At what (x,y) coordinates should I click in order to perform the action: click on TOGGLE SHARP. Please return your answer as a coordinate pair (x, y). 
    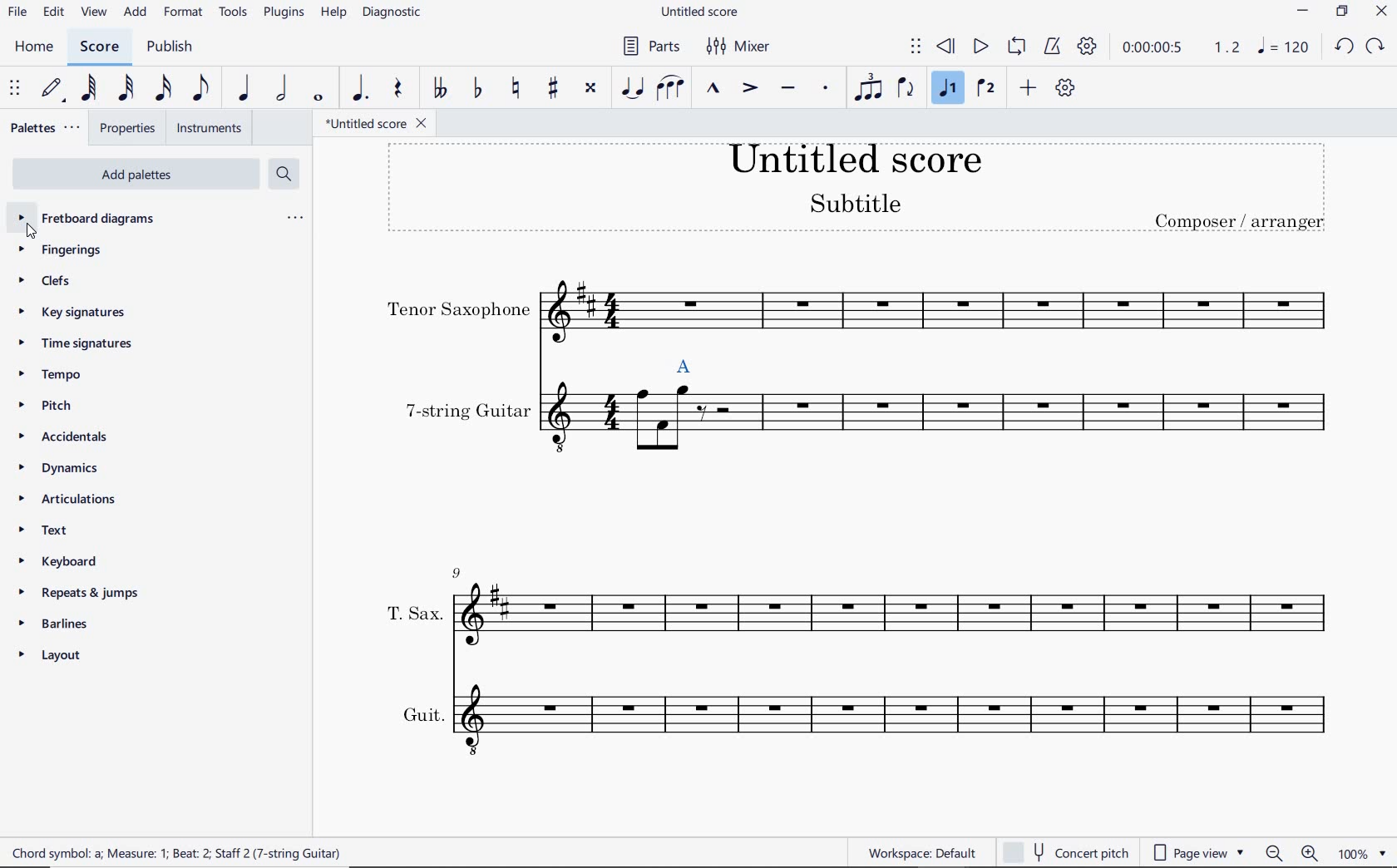
    Looking at the image, I should click on (553, 90).